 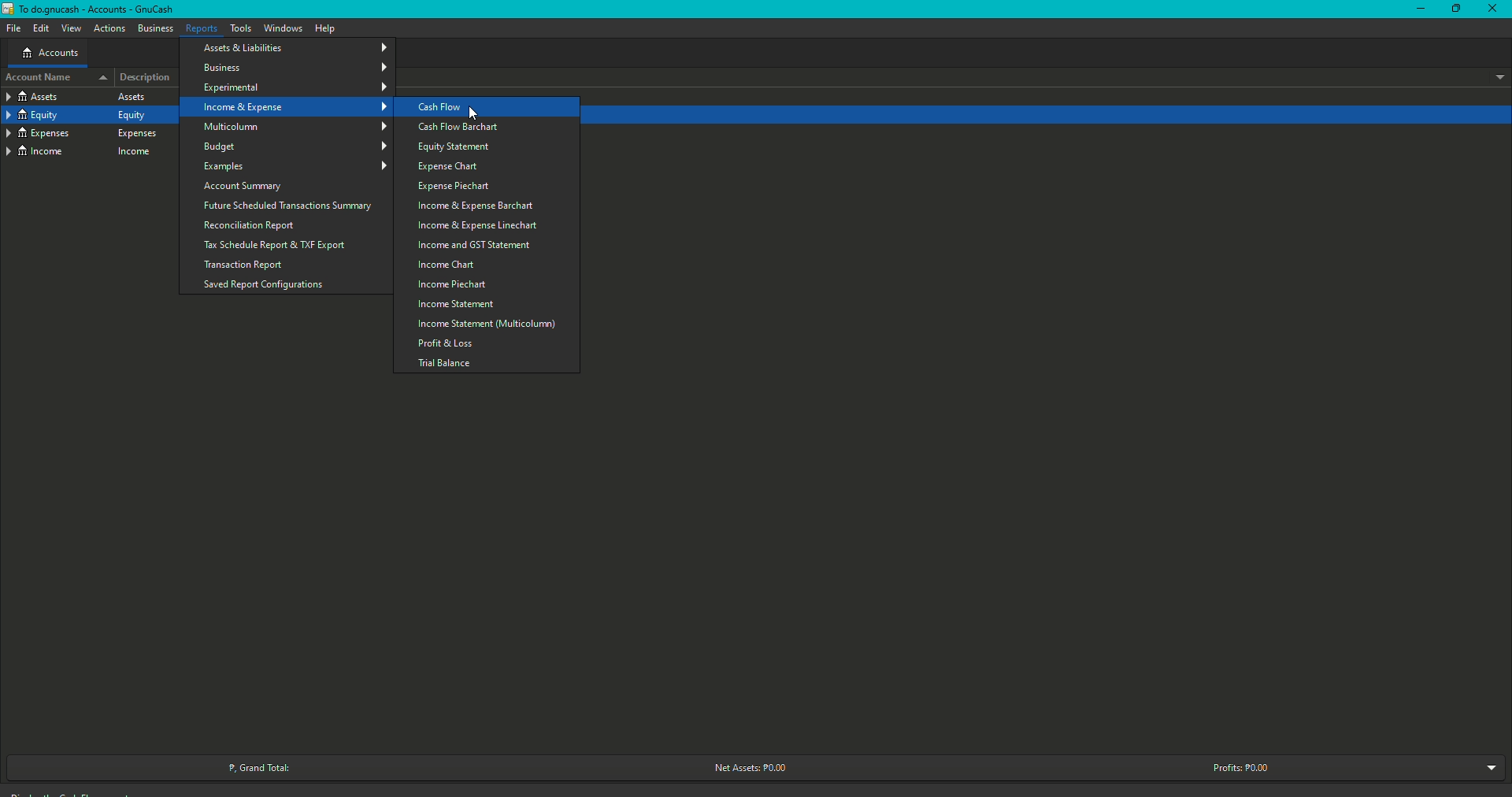 What do you see at coordinates (295, 108) in the screenshot?
I see `Income and Expenses` at bounding box center [295, 108].